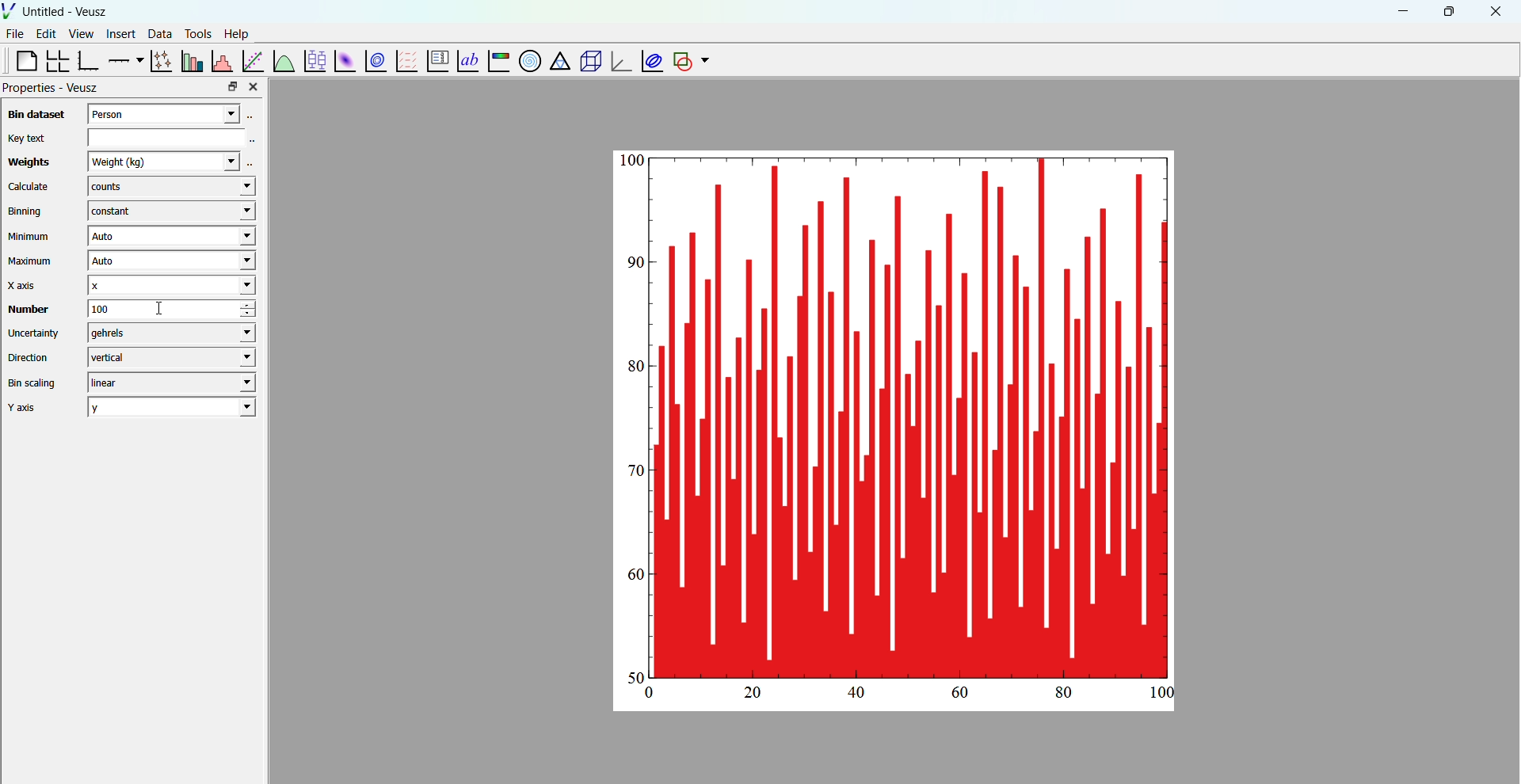 This screenshot has width=1521, height=784. I want to click on close, so click(1496, 12).